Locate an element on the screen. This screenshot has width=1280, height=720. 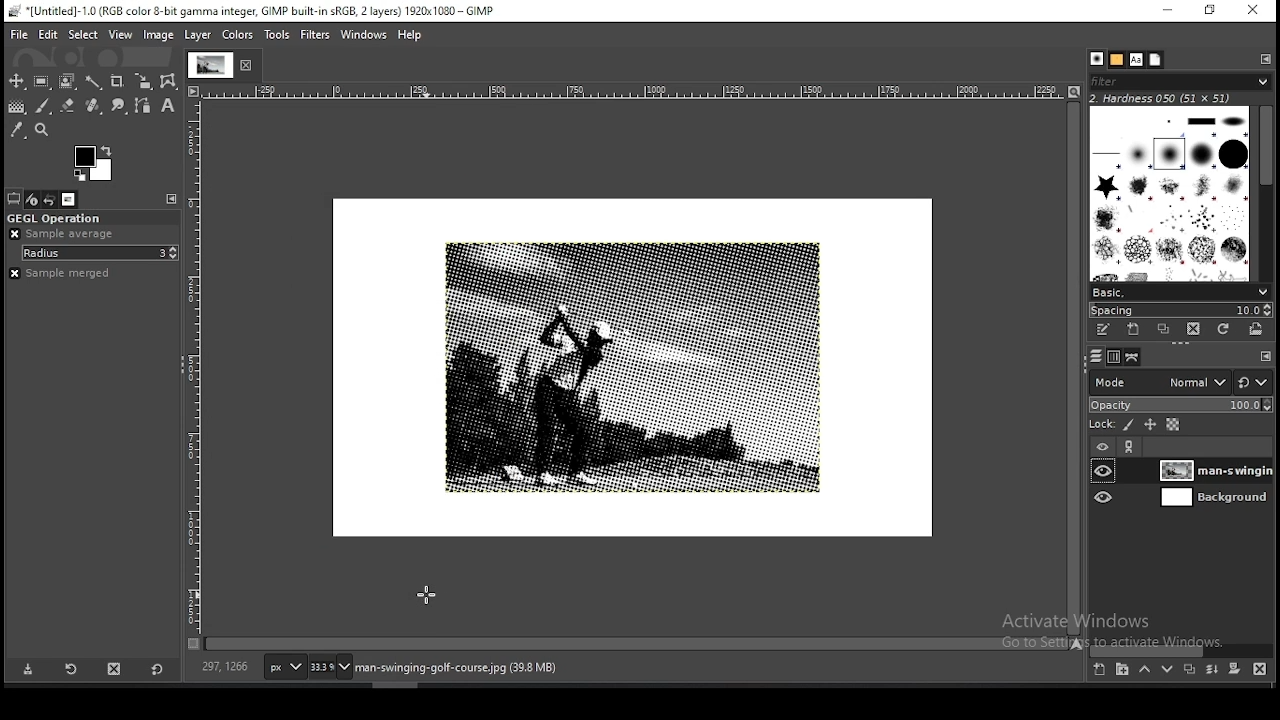
zoom tool is located at coordinates (41, 129).